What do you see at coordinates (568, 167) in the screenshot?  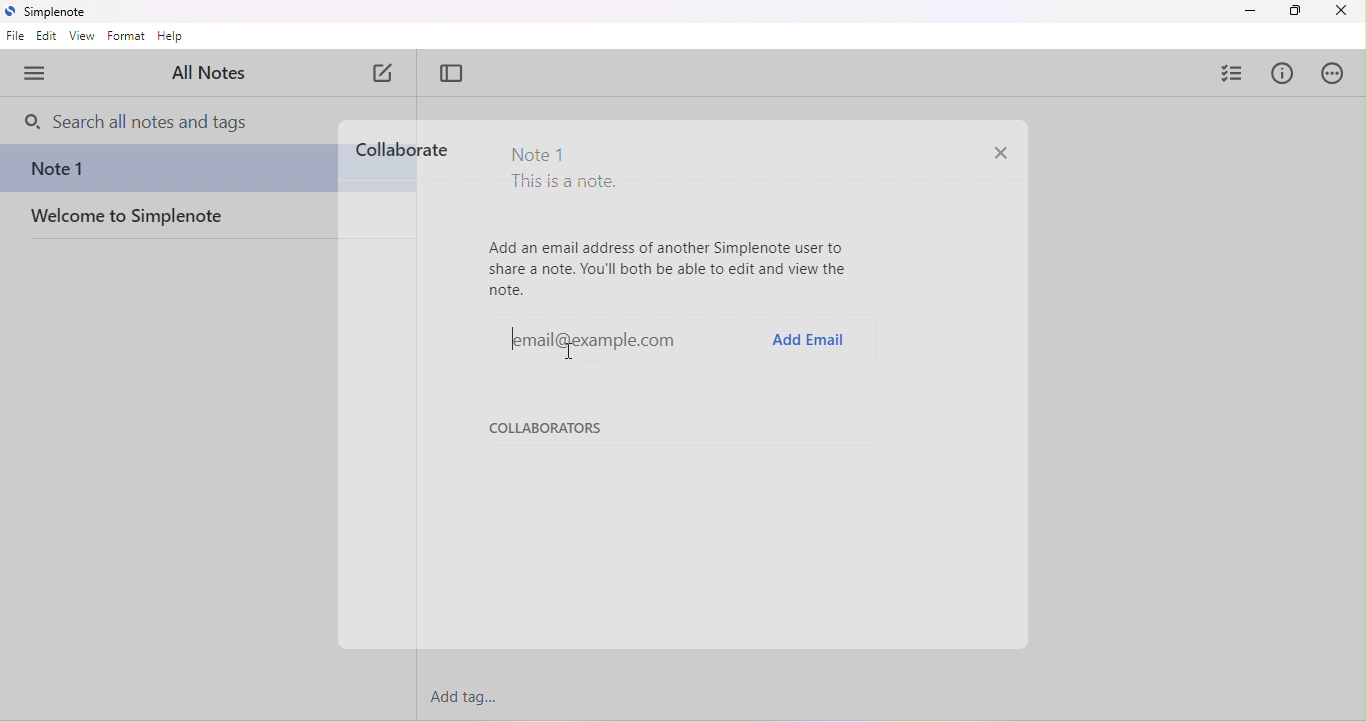 I see `Note 1
This is a note.` at bounding box center [568, 167].